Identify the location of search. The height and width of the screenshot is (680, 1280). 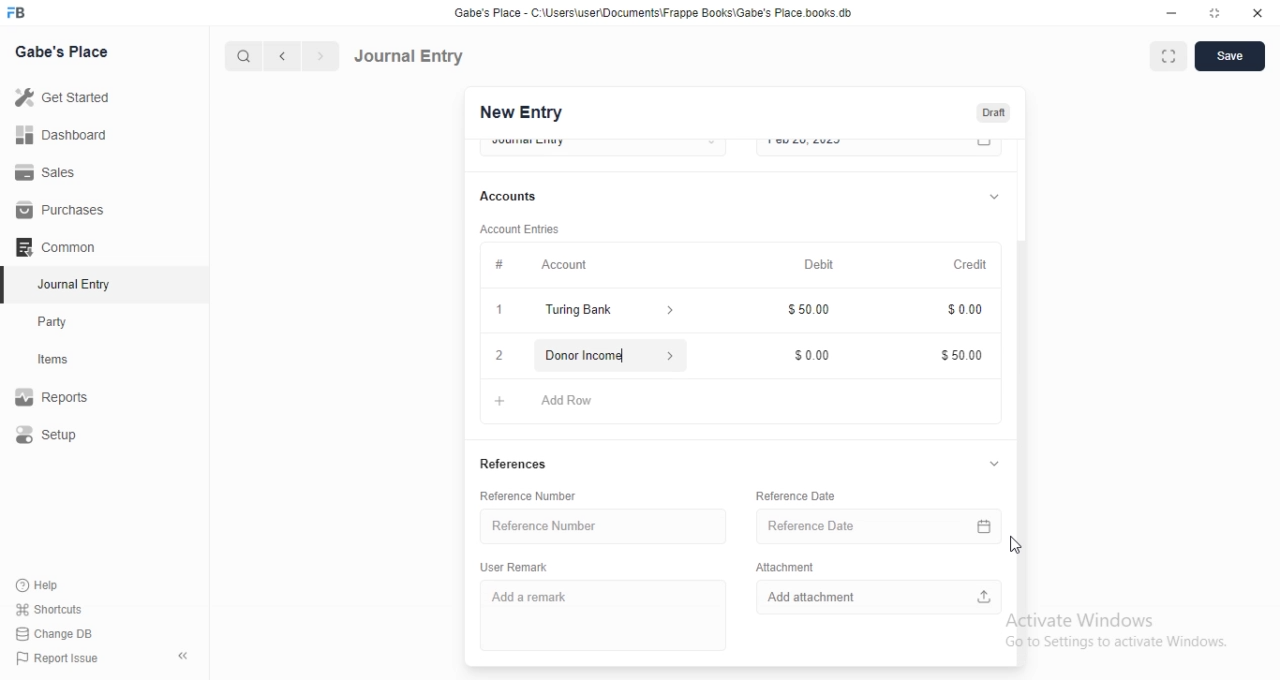
(245, 56).